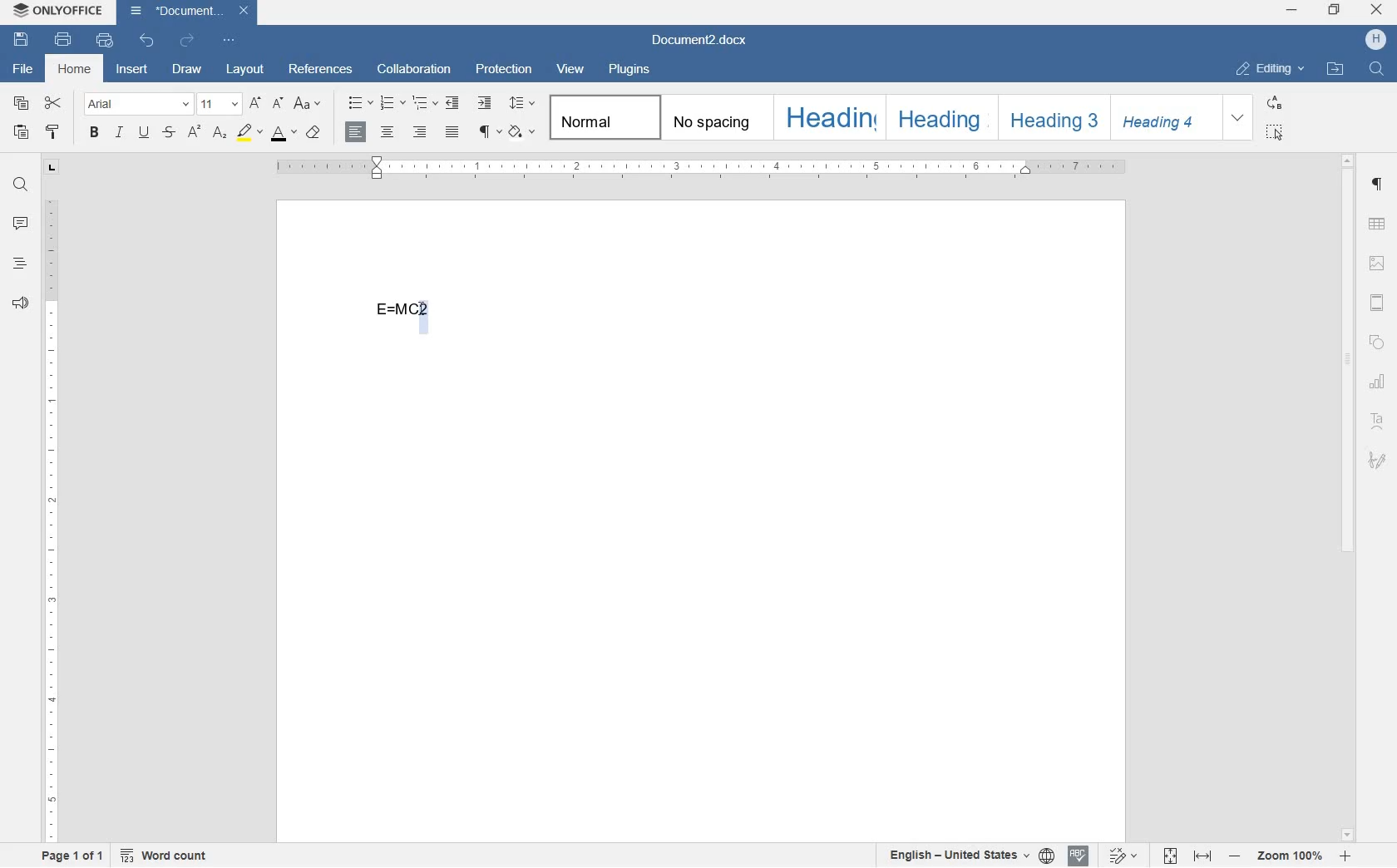 This screenshot has height=868, width=1397. I want to click on Heading 2, so click(939, 118).